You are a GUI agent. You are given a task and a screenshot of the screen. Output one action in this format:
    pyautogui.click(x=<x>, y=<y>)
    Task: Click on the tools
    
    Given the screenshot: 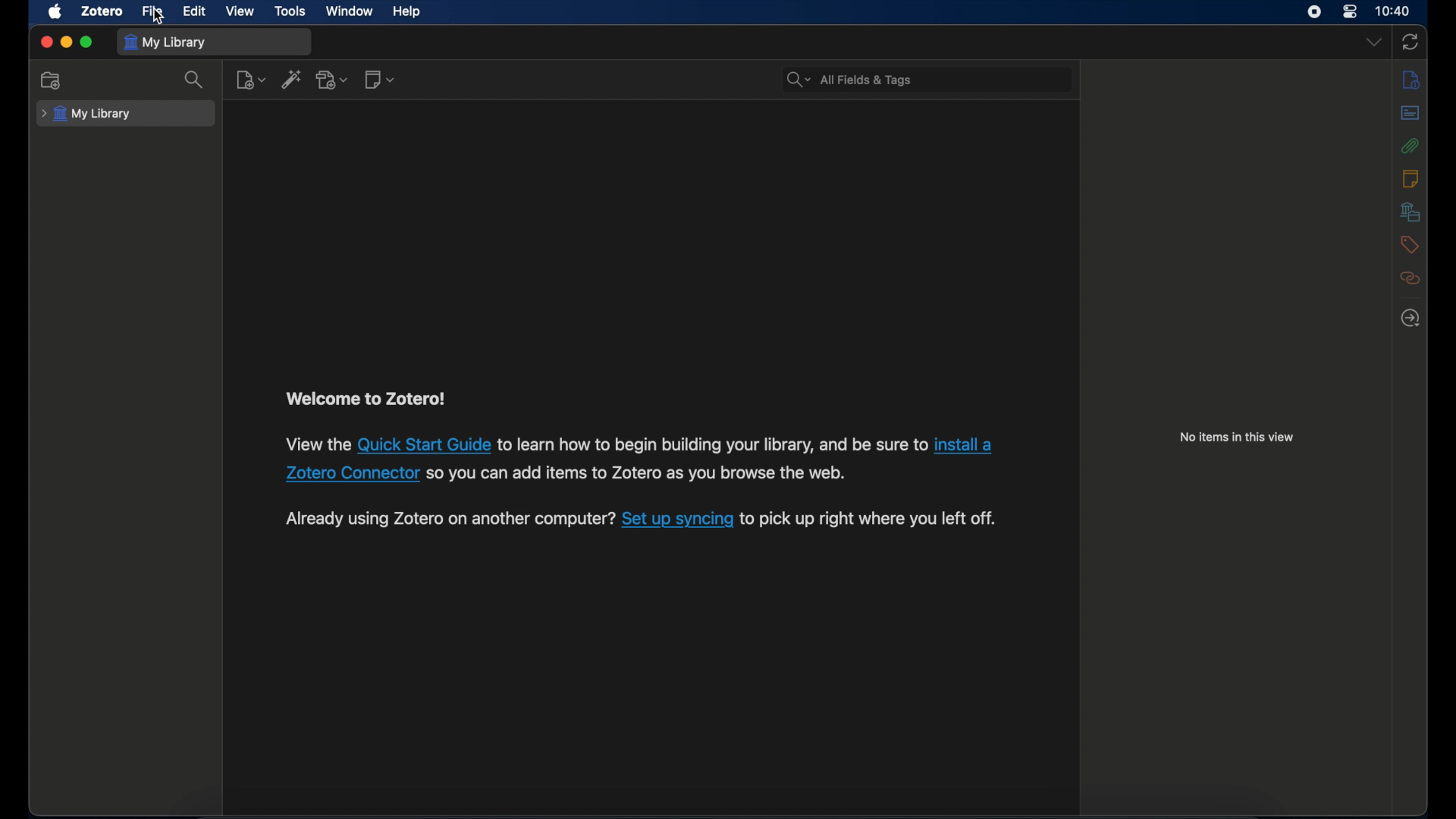 What is the action you would take?
    pyautogui.click(x=290, y=11)
    